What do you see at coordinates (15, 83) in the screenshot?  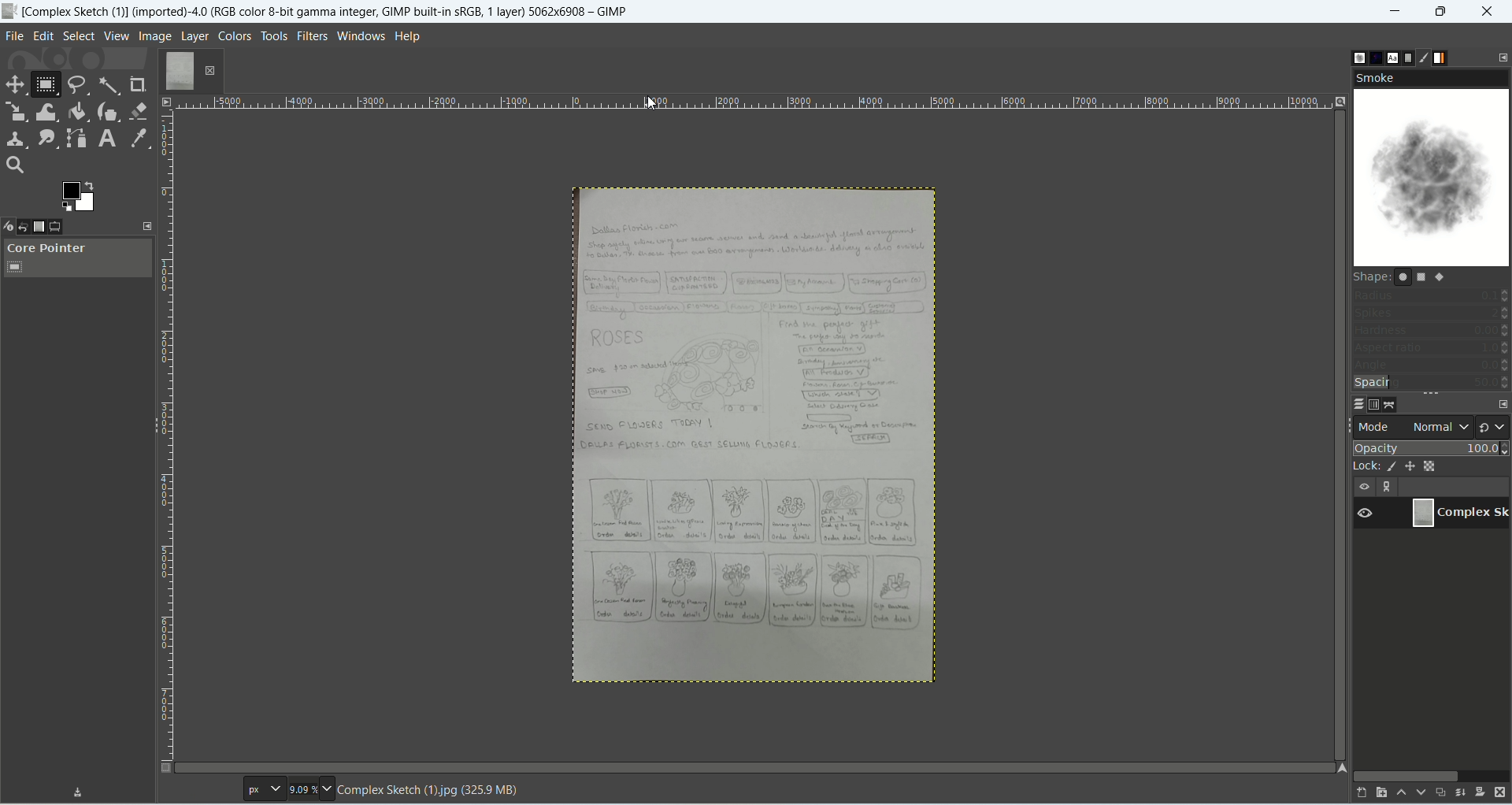 I see `move tool` at bounding box center [15, 83].